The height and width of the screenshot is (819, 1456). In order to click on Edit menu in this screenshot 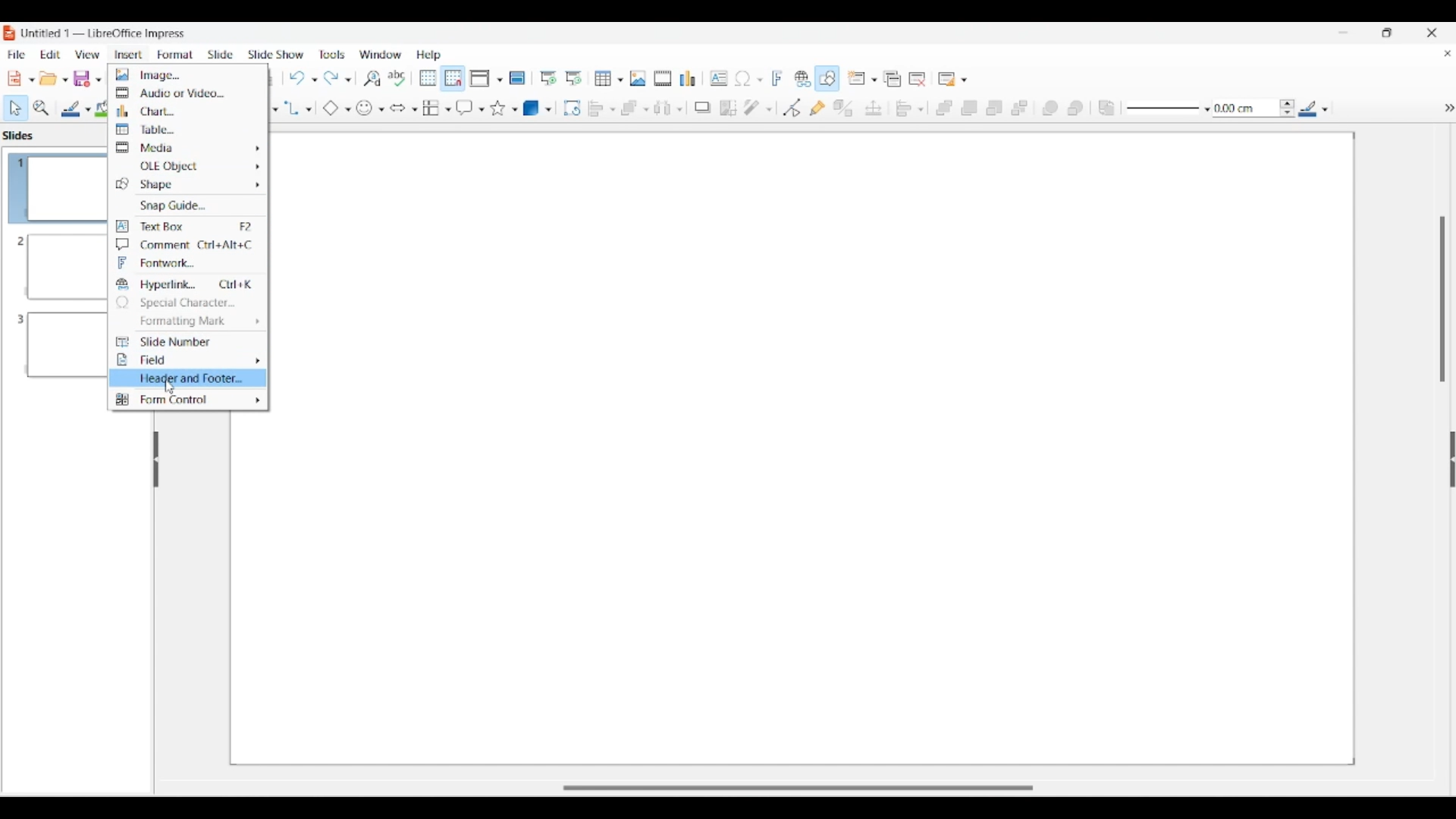, I will do `click(51, 55)`.